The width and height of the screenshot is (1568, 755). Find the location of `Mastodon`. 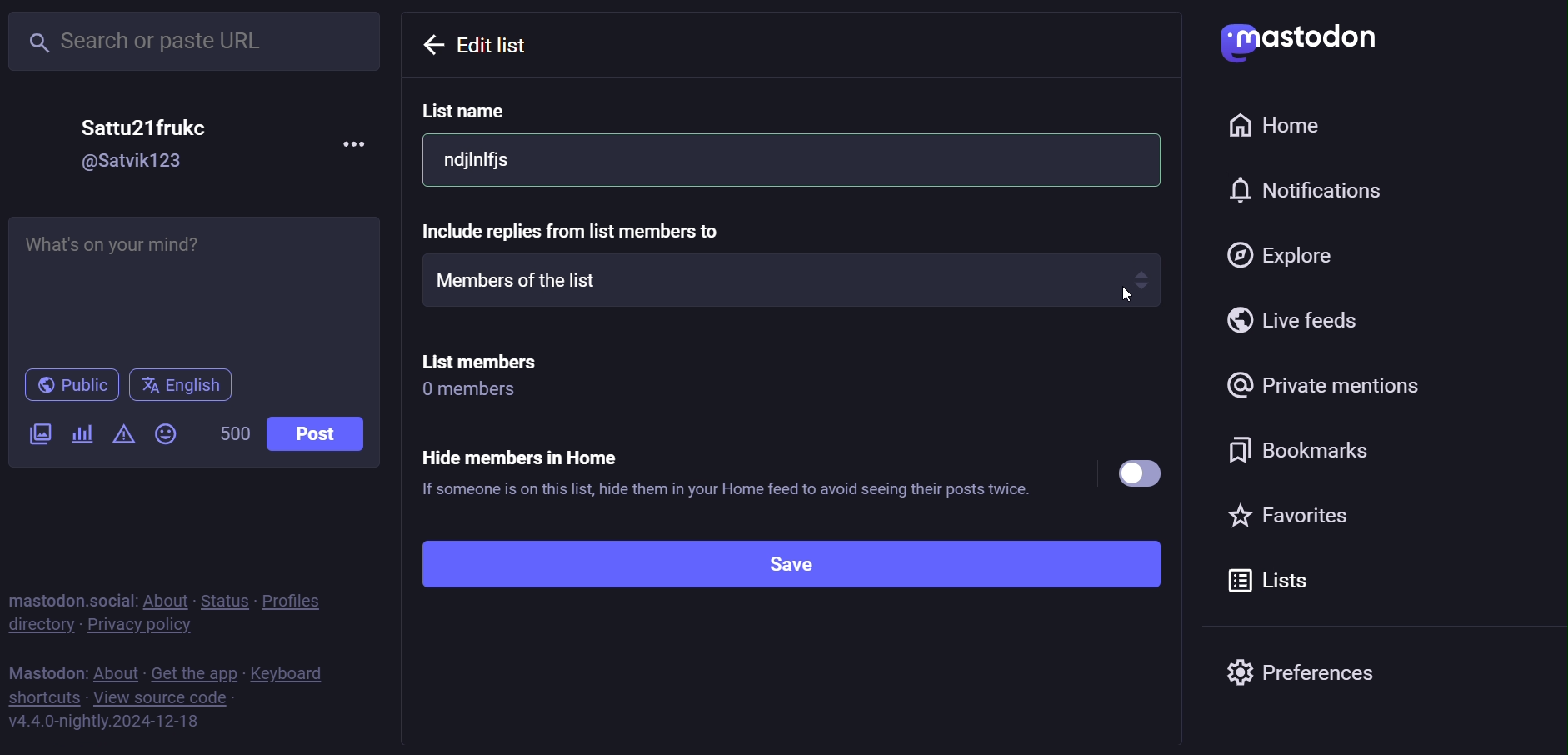

Mastodon is located at coordinates (1305, 39).